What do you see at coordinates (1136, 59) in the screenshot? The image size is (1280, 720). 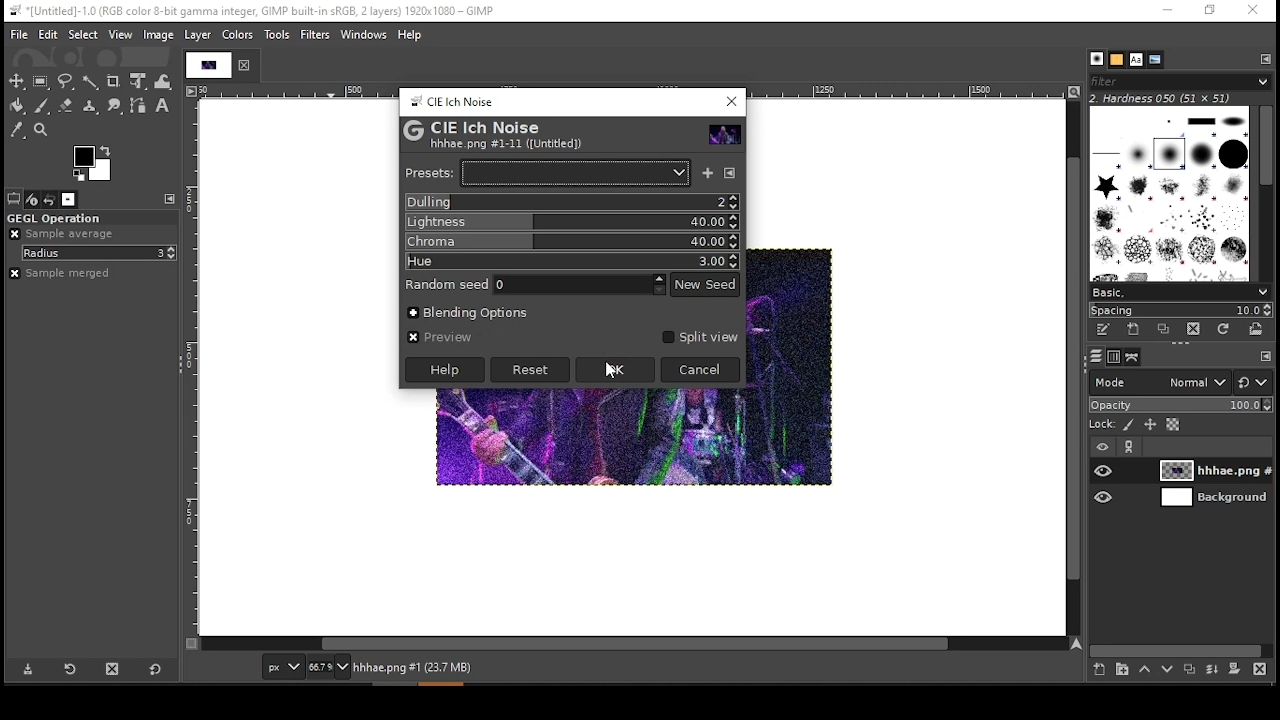 I see `fonts` at bounding box center [1136, 59].